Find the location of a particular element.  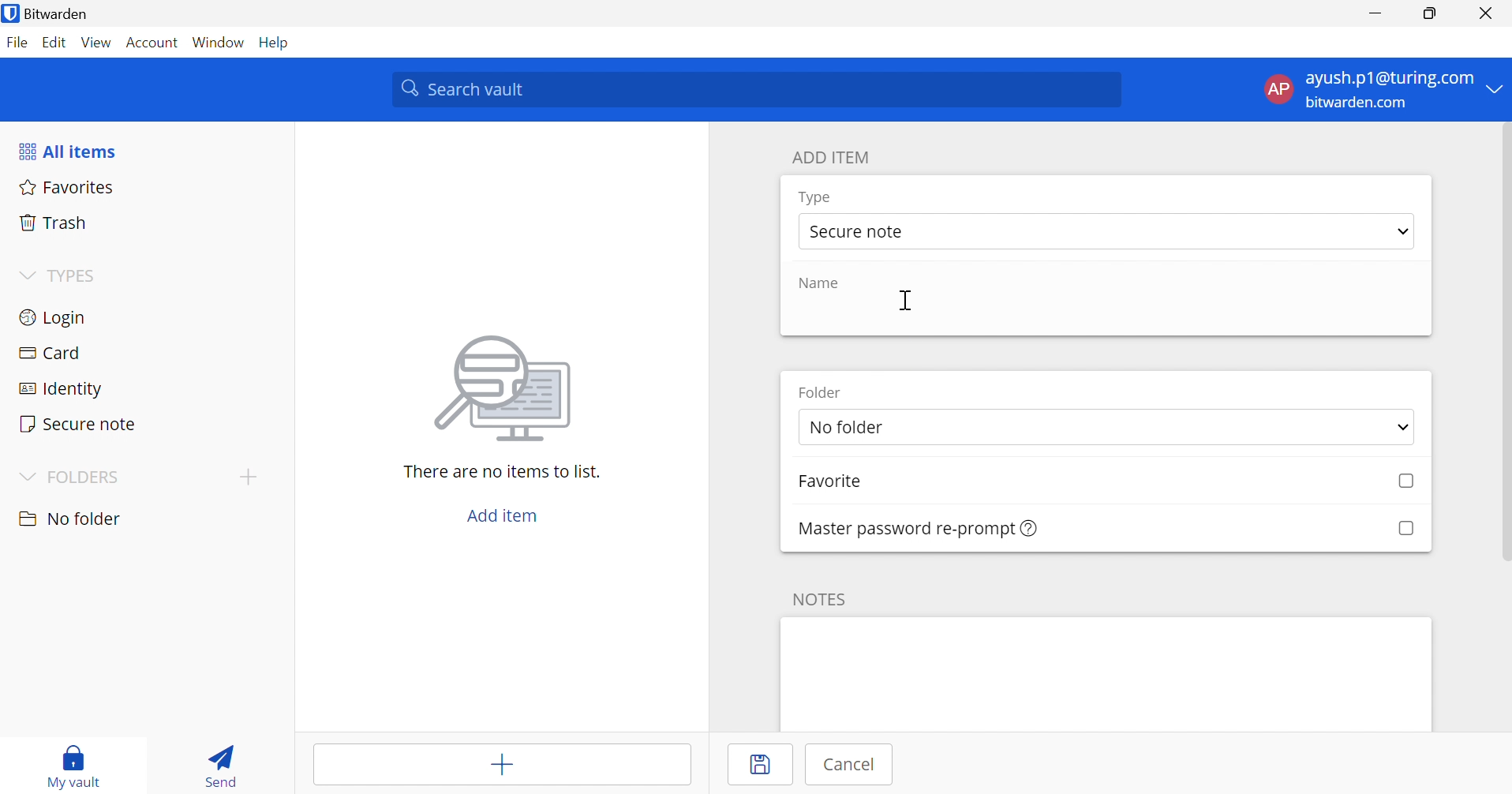

box is located at coordinates (1399, 482).